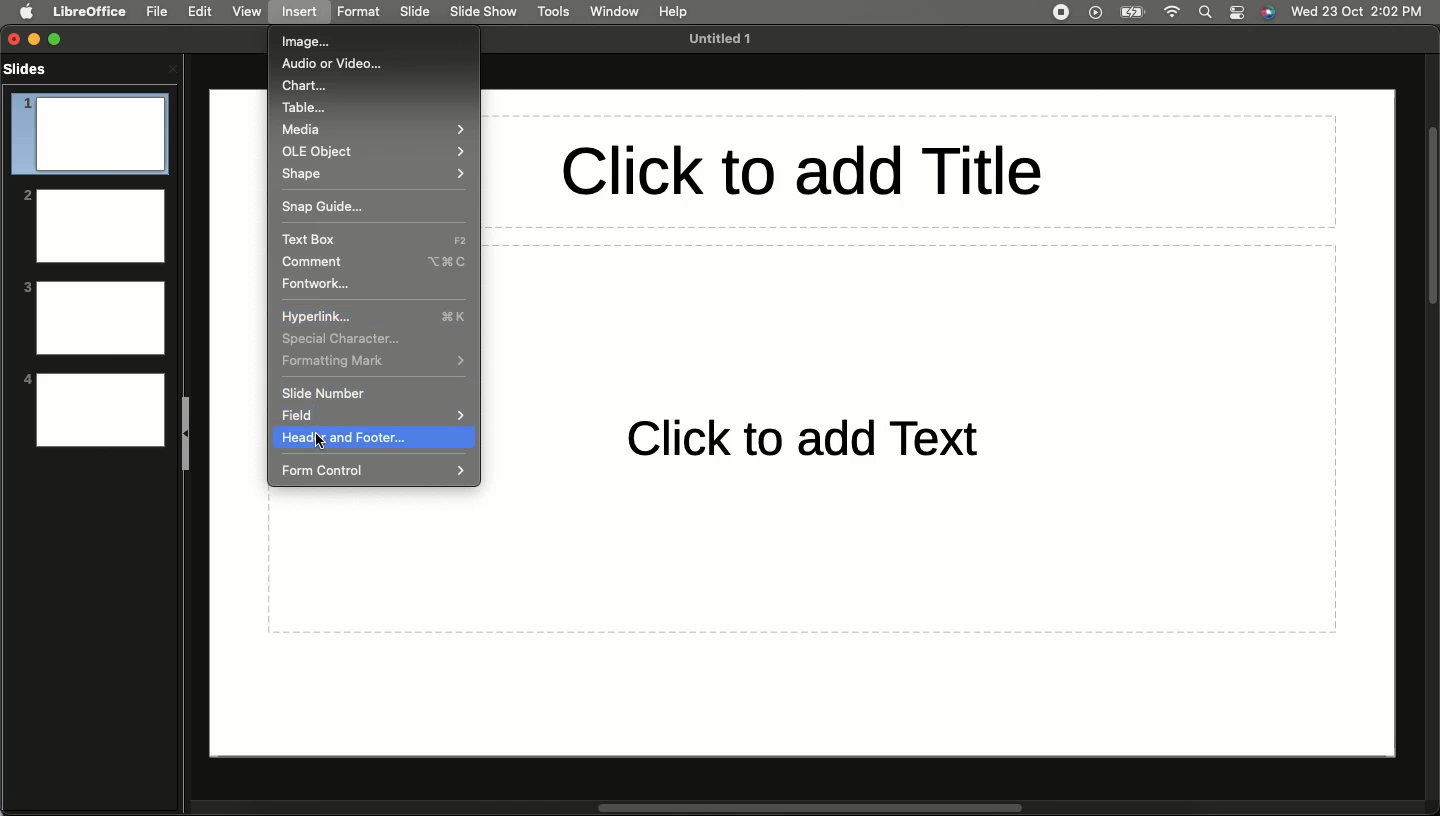  I want to click on Comment, so click(377, 263).